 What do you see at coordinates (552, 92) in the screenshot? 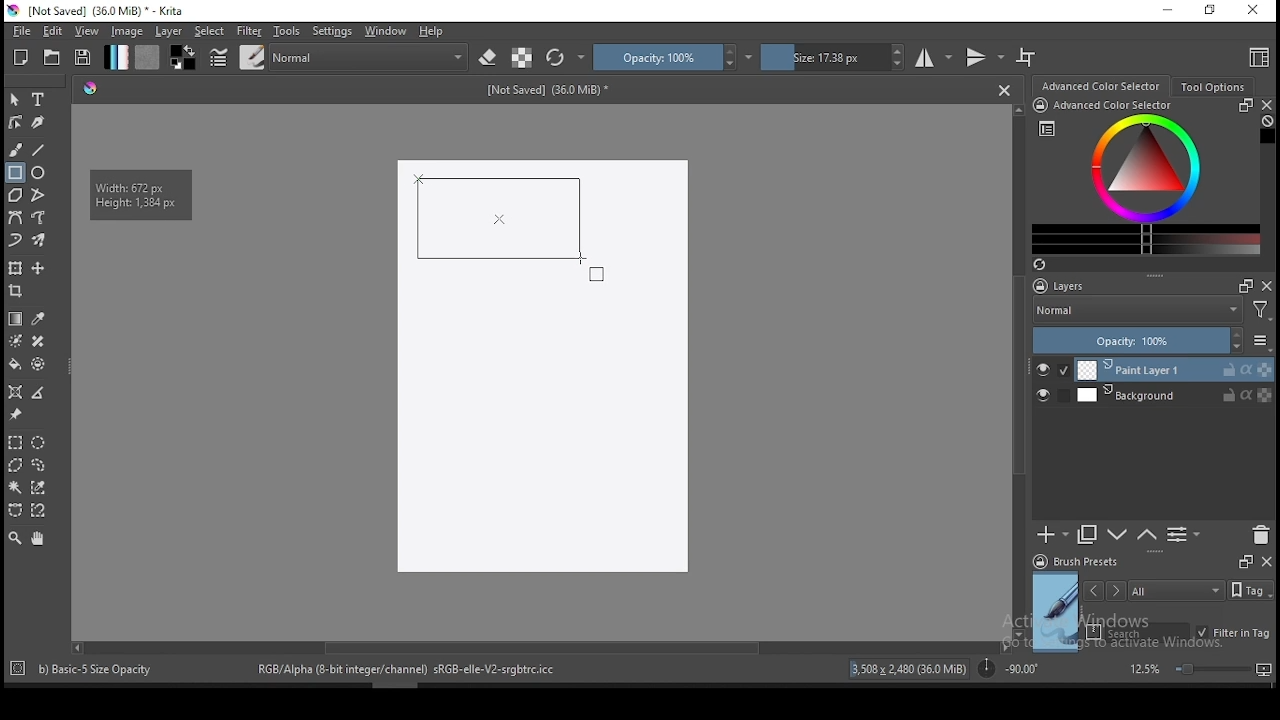
I see `size` at bounding box center [552, 92].